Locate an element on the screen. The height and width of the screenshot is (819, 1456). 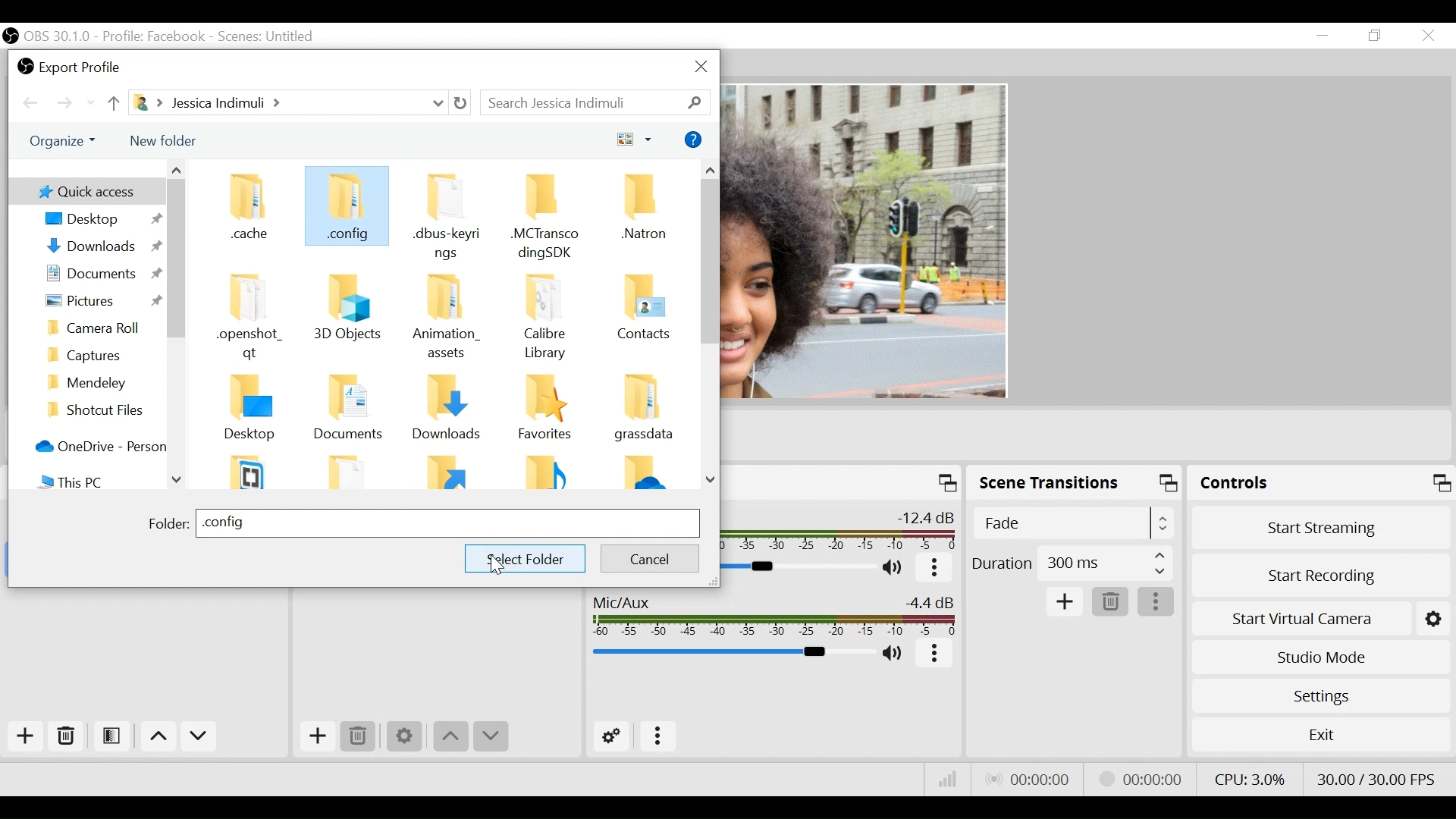
Add  is located at coordinates (1065, 603).